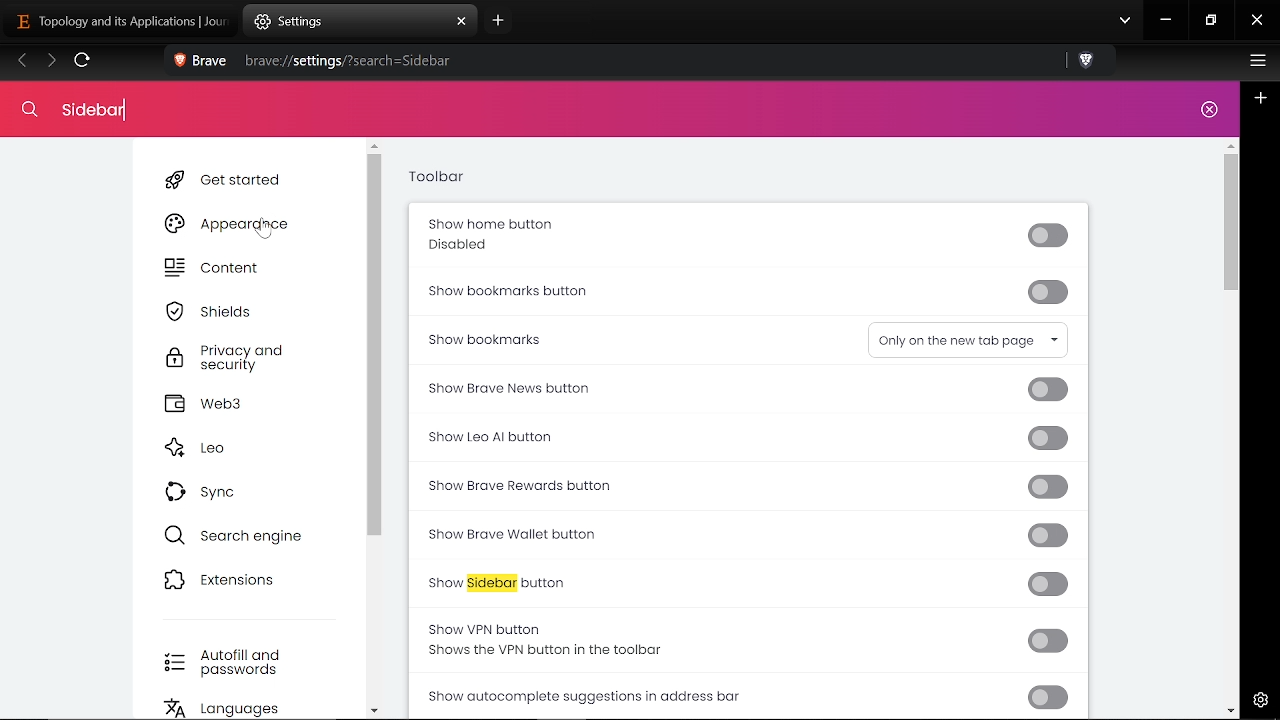 The image size is (1280, 720). What do you see at coordinates (22, 62) in the screenshot?
I see `Previous page` at bounding box center [22, 62].